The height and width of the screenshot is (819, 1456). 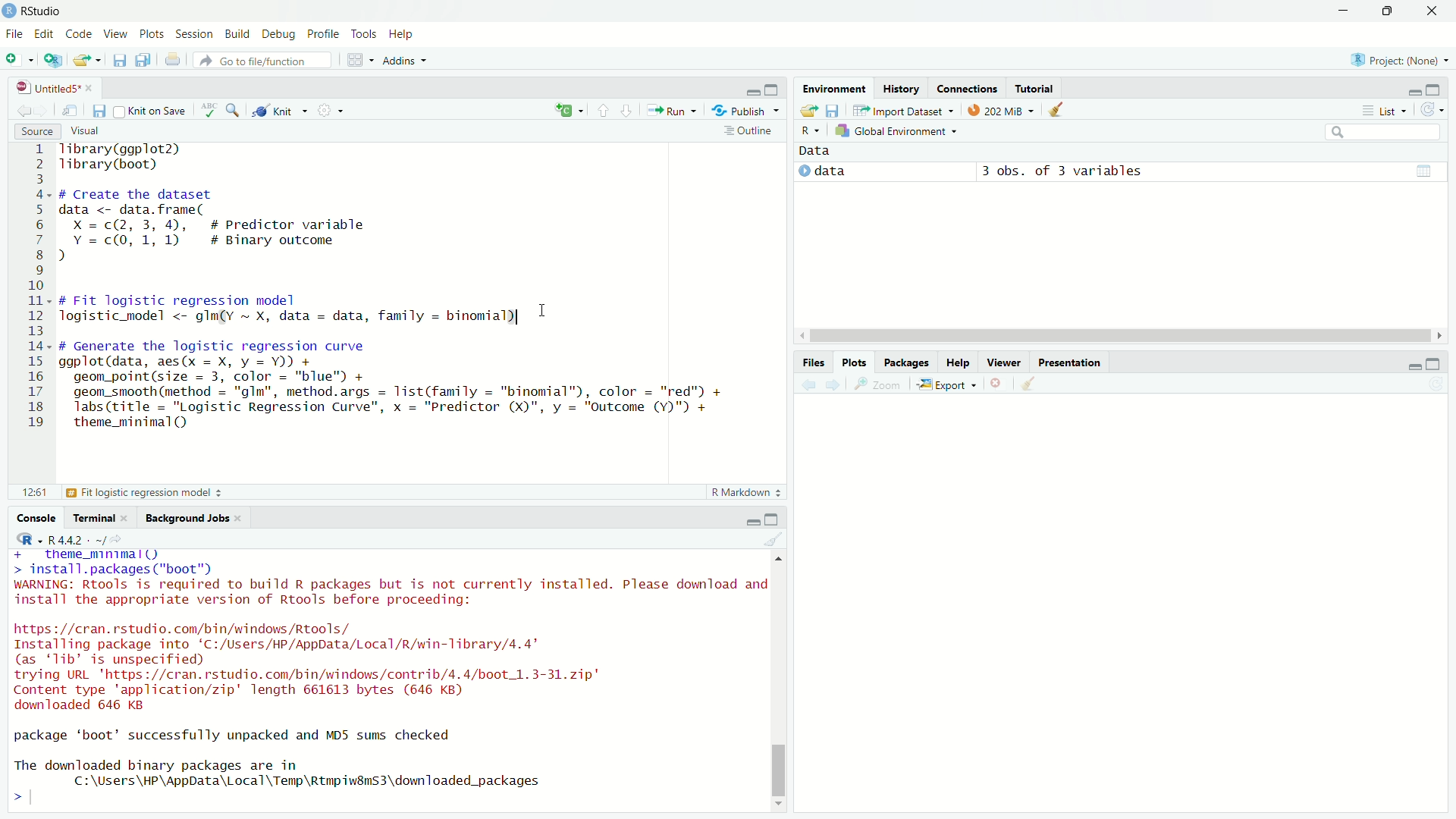 What do you see at coordinates (19, 61) in the screenshot?
I see `New file` at bounding box center [19, 61].